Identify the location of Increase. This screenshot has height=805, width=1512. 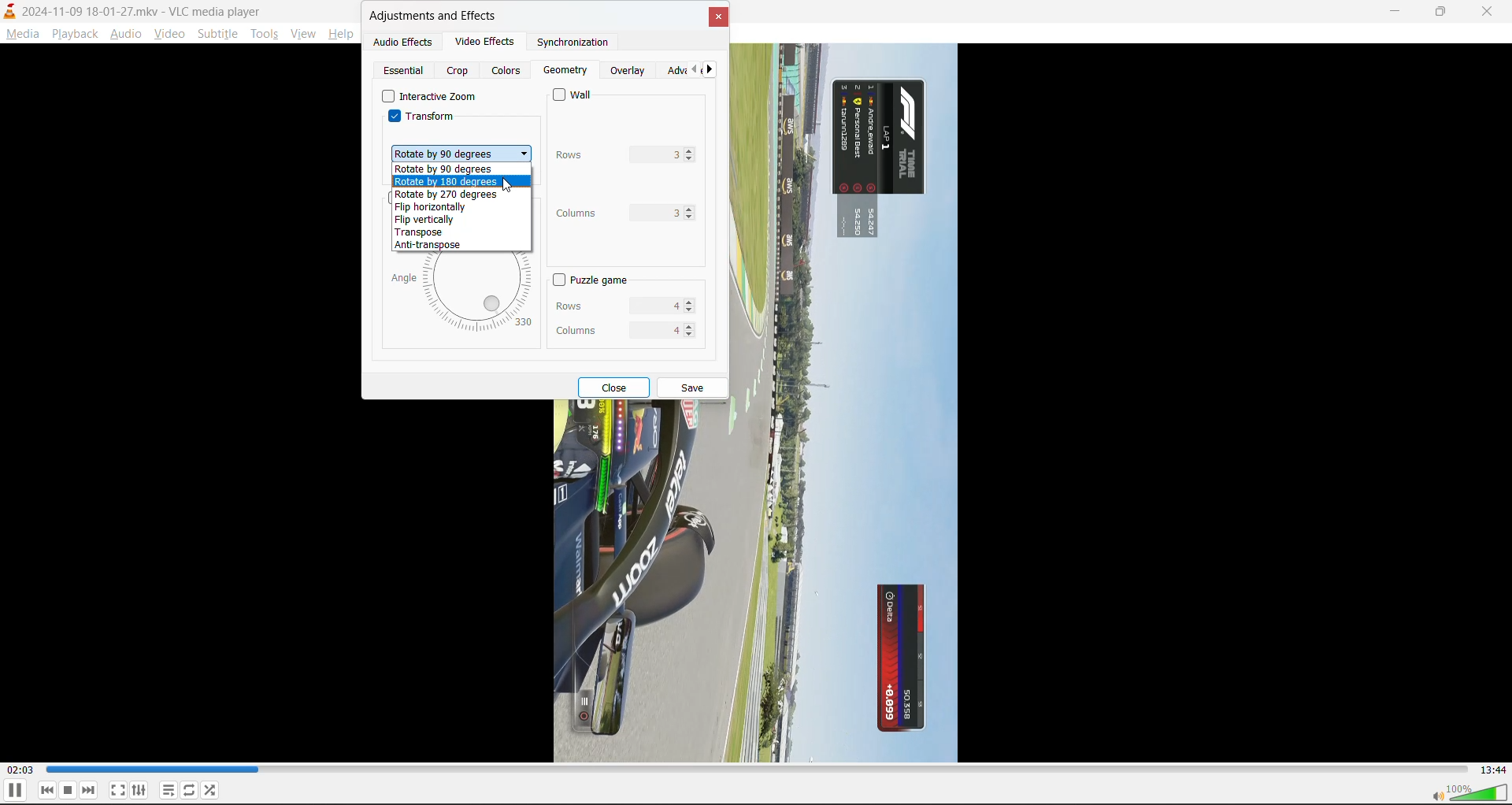
(691, 150).